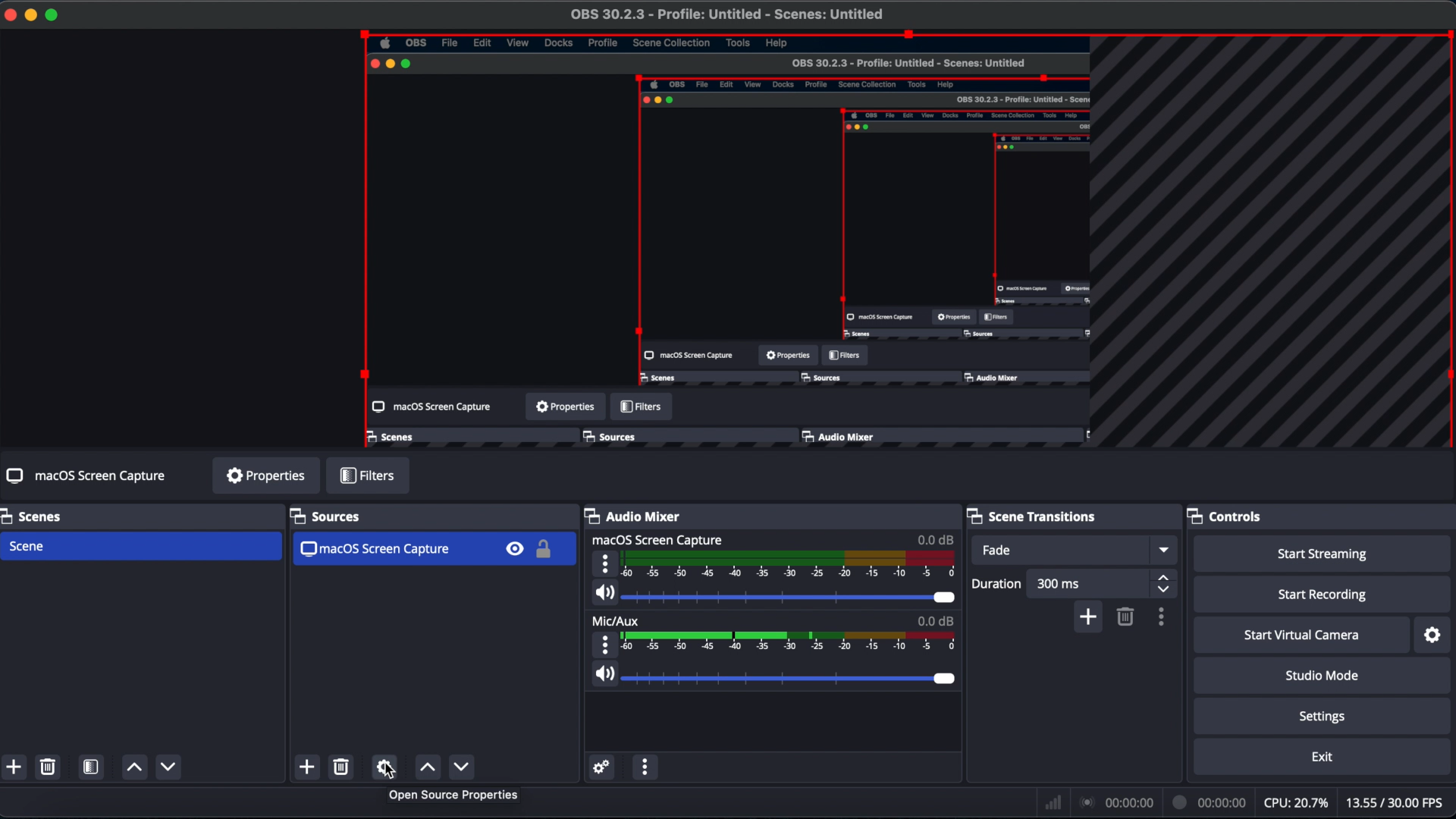 The width and height of the screenshot is (1456, 819). Describe the element at coordinates (90, 767) in the screenshot. I see `open scene filters` at that location.